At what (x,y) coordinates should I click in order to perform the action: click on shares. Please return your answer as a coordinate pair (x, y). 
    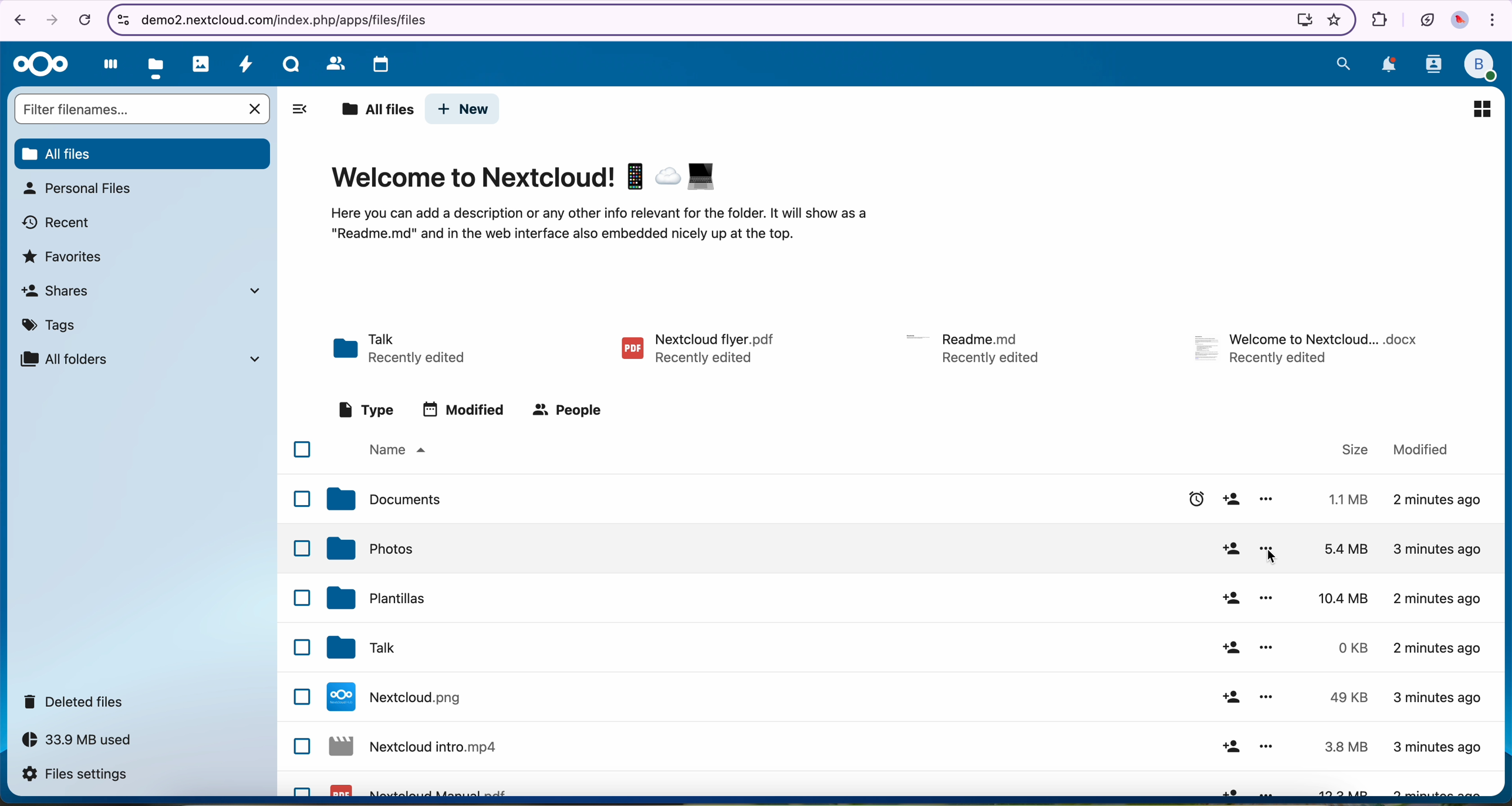
    Looking at the image, I should click on (147, 293).